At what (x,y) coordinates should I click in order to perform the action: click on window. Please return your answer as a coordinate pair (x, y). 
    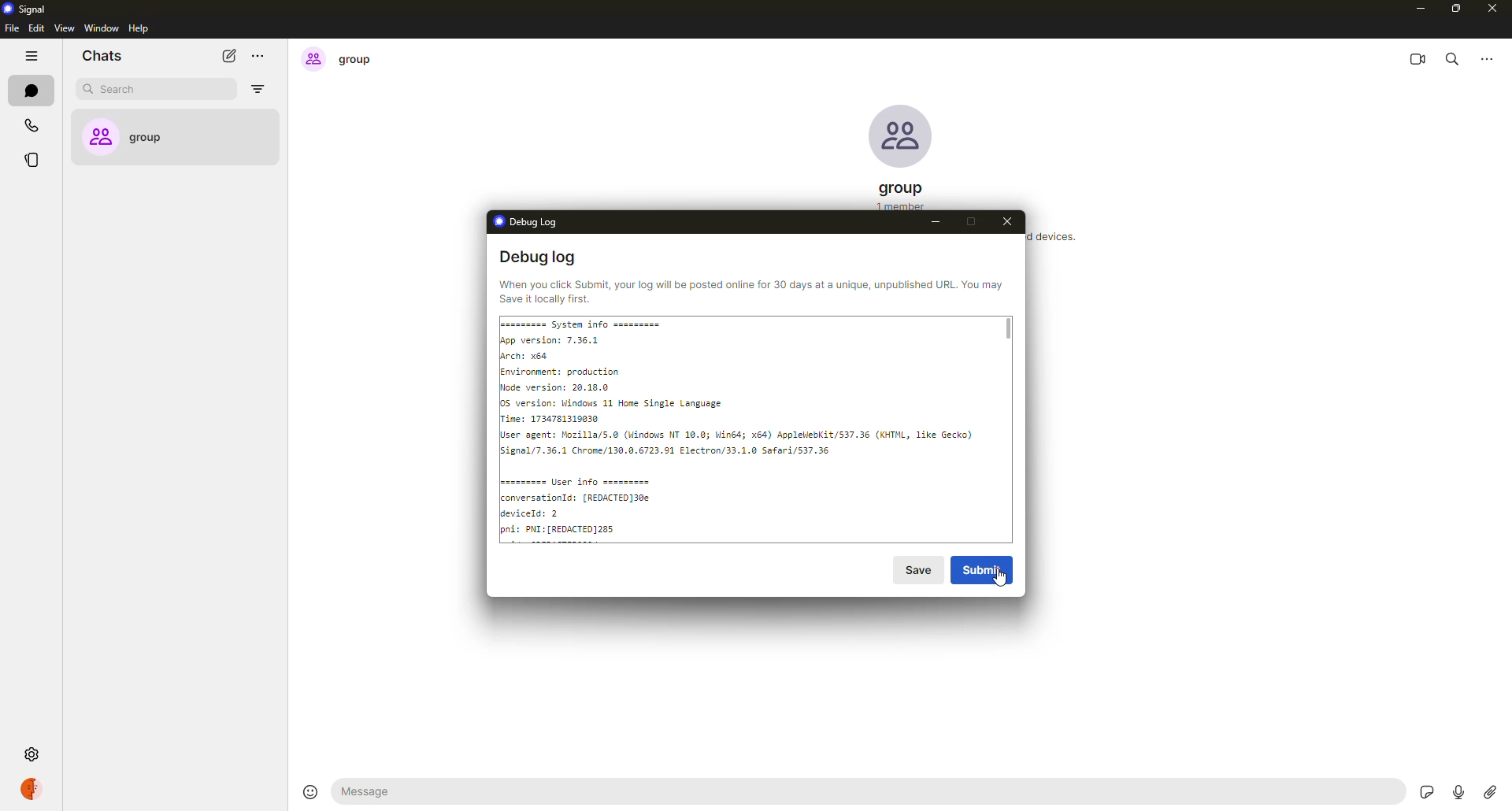
    Looking at the image, I should click on (102, 29).